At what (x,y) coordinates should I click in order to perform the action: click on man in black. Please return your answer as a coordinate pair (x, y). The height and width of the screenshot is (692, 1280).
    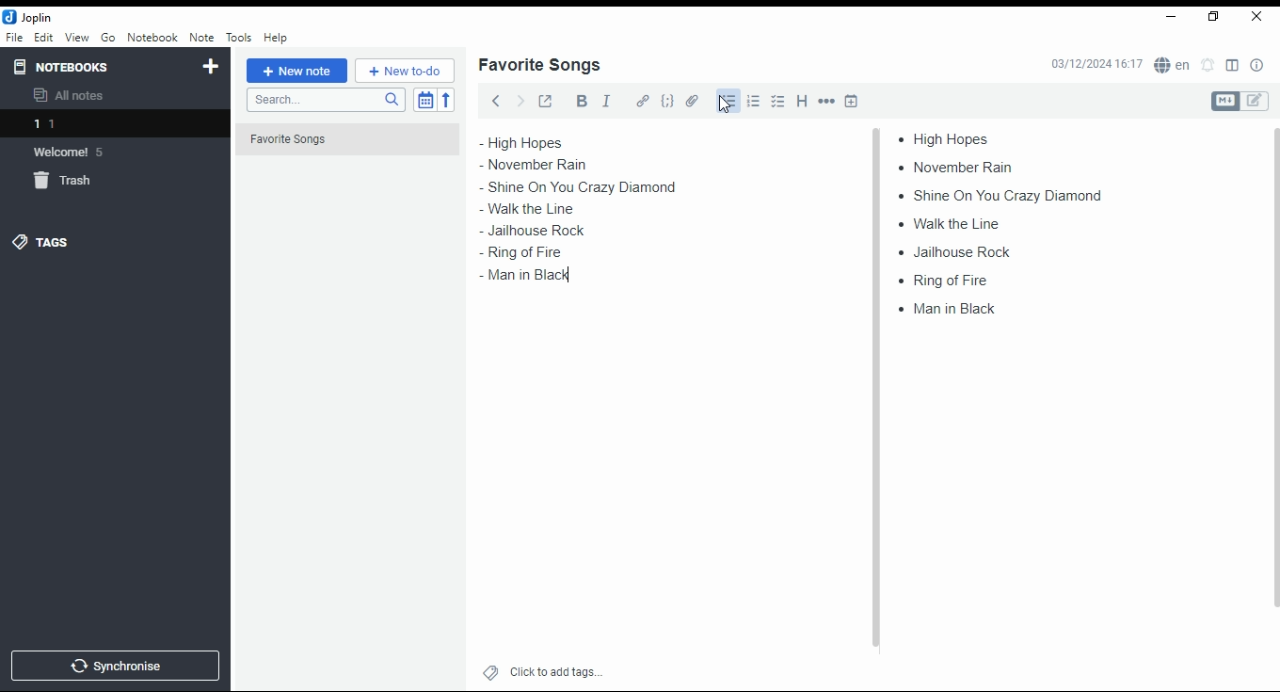
    Looking at the image, I should click on (956, 306).